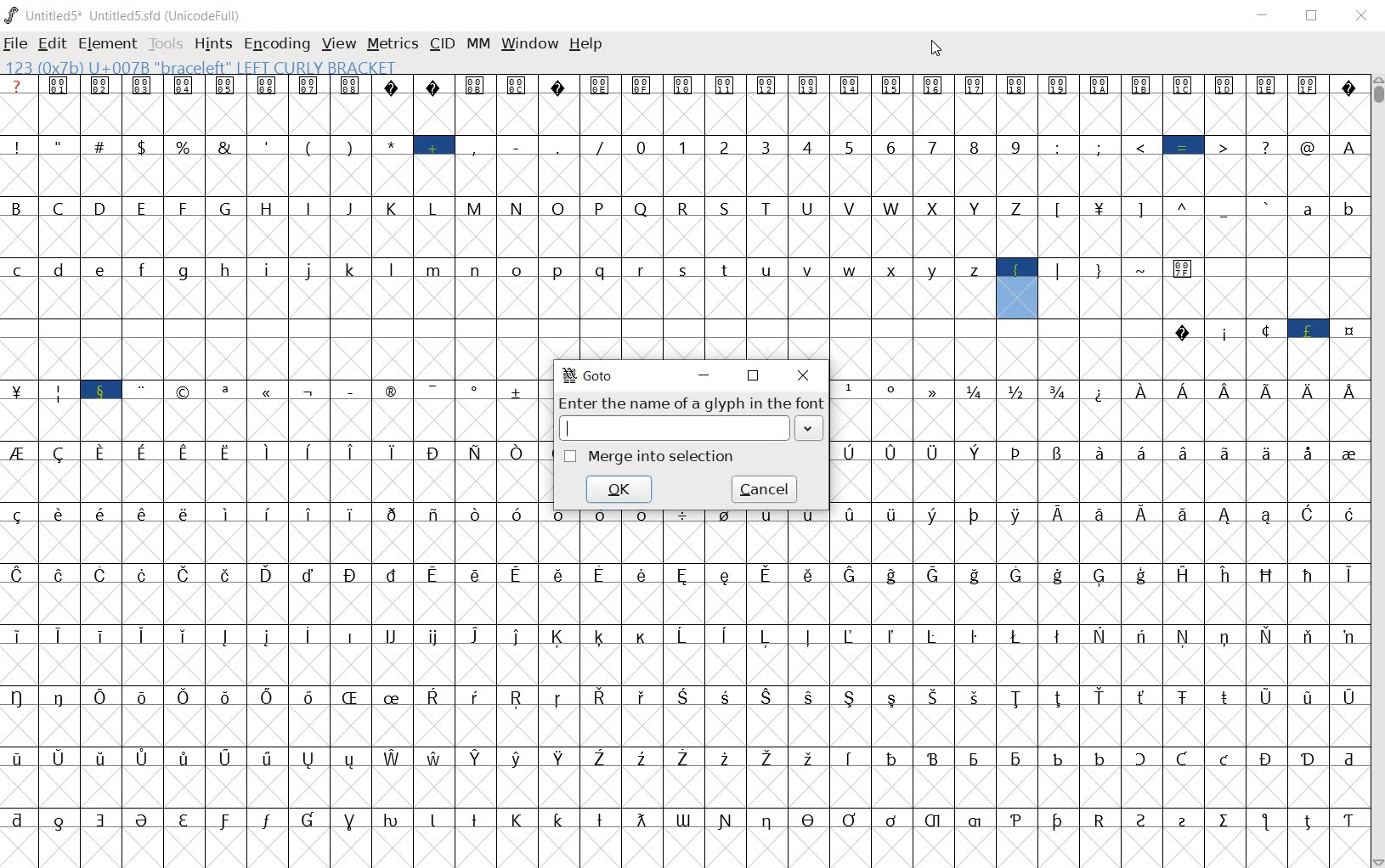 Image resolution: width=1385 pixels, height=868 pixels. I want to click on MINIMIZE, so click(1264, 15).